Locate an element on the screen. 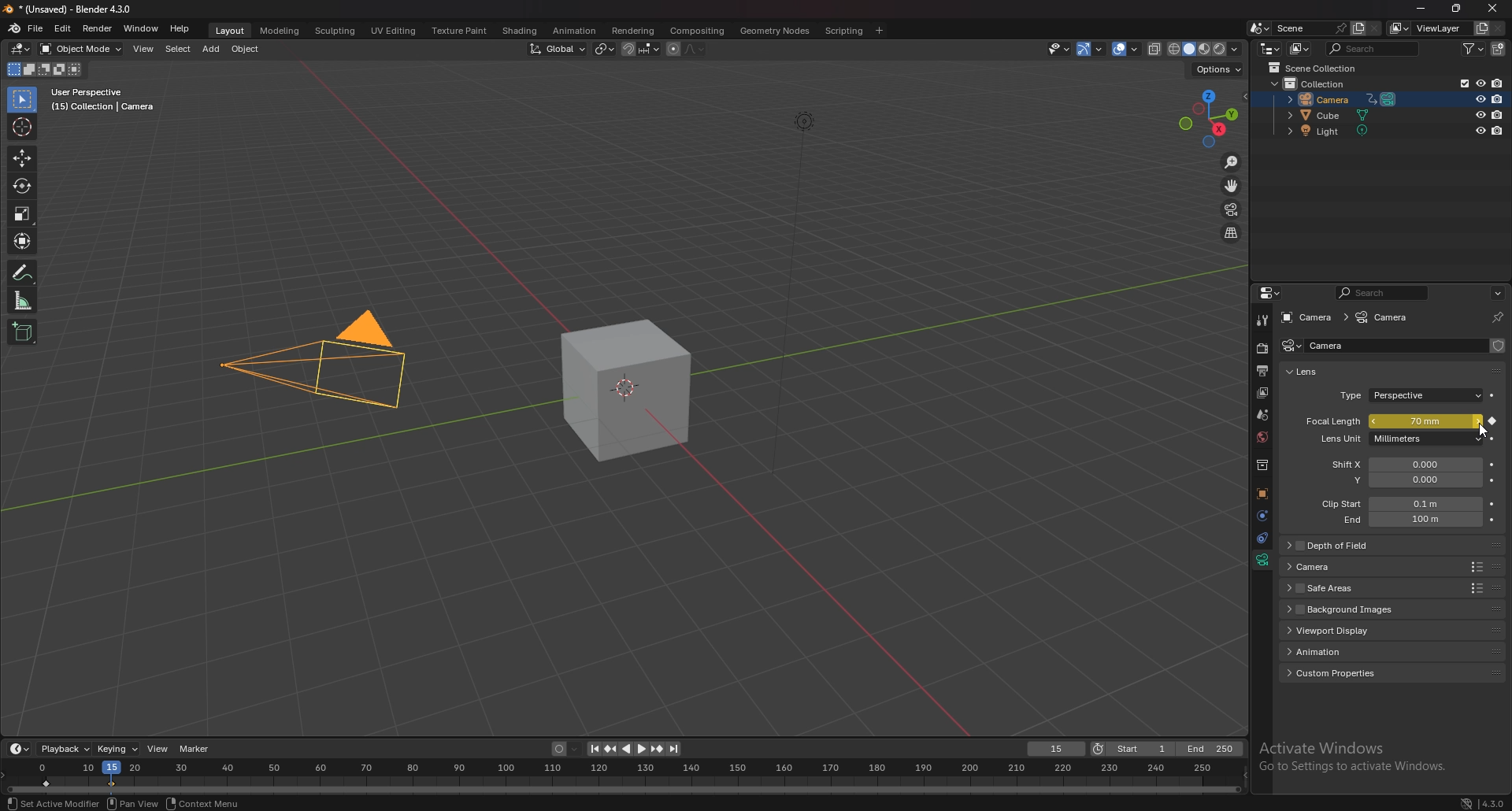 This screenshot has height=811, width=1512. jump to keyframe is located at coordinates (610, 749).